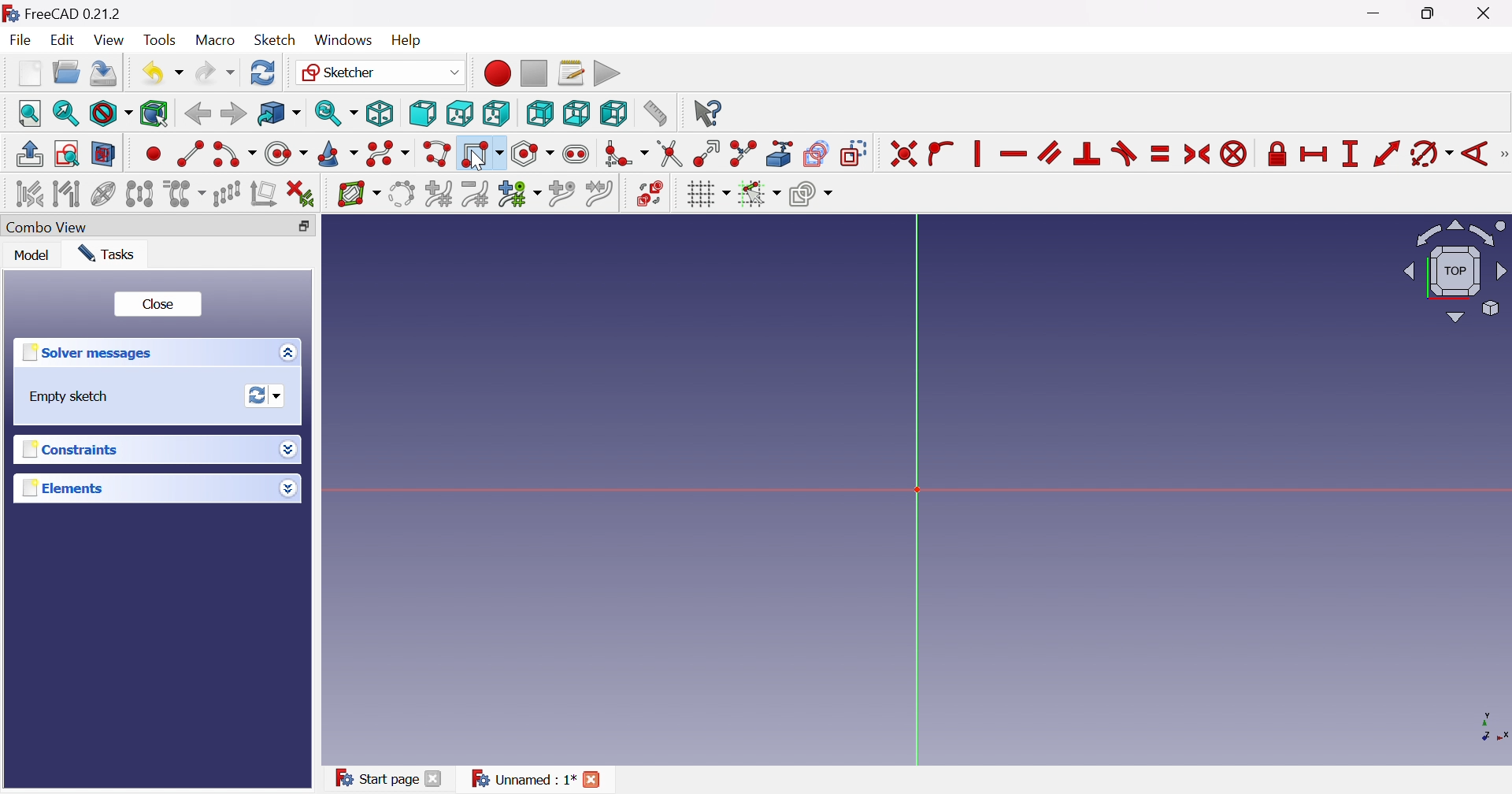 The width and height of the screenshot is (1512, 794). What do you see at coordinates (158, 37) in the screenshot?
I see `Tools` at bounding box center [158, 37].